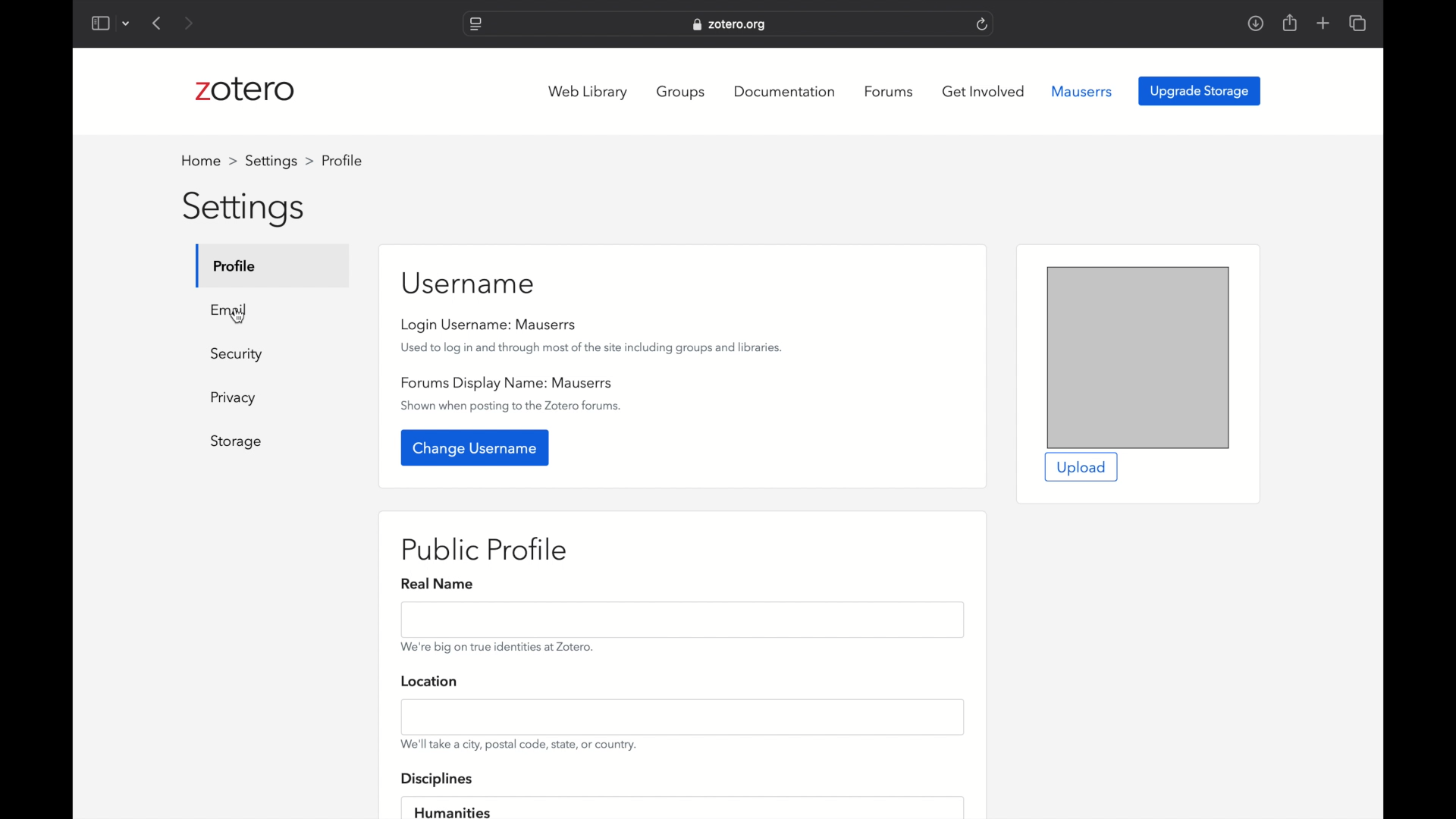 This screenshot has height=819, width=1456. I want to click on profile, so click(341, 160).